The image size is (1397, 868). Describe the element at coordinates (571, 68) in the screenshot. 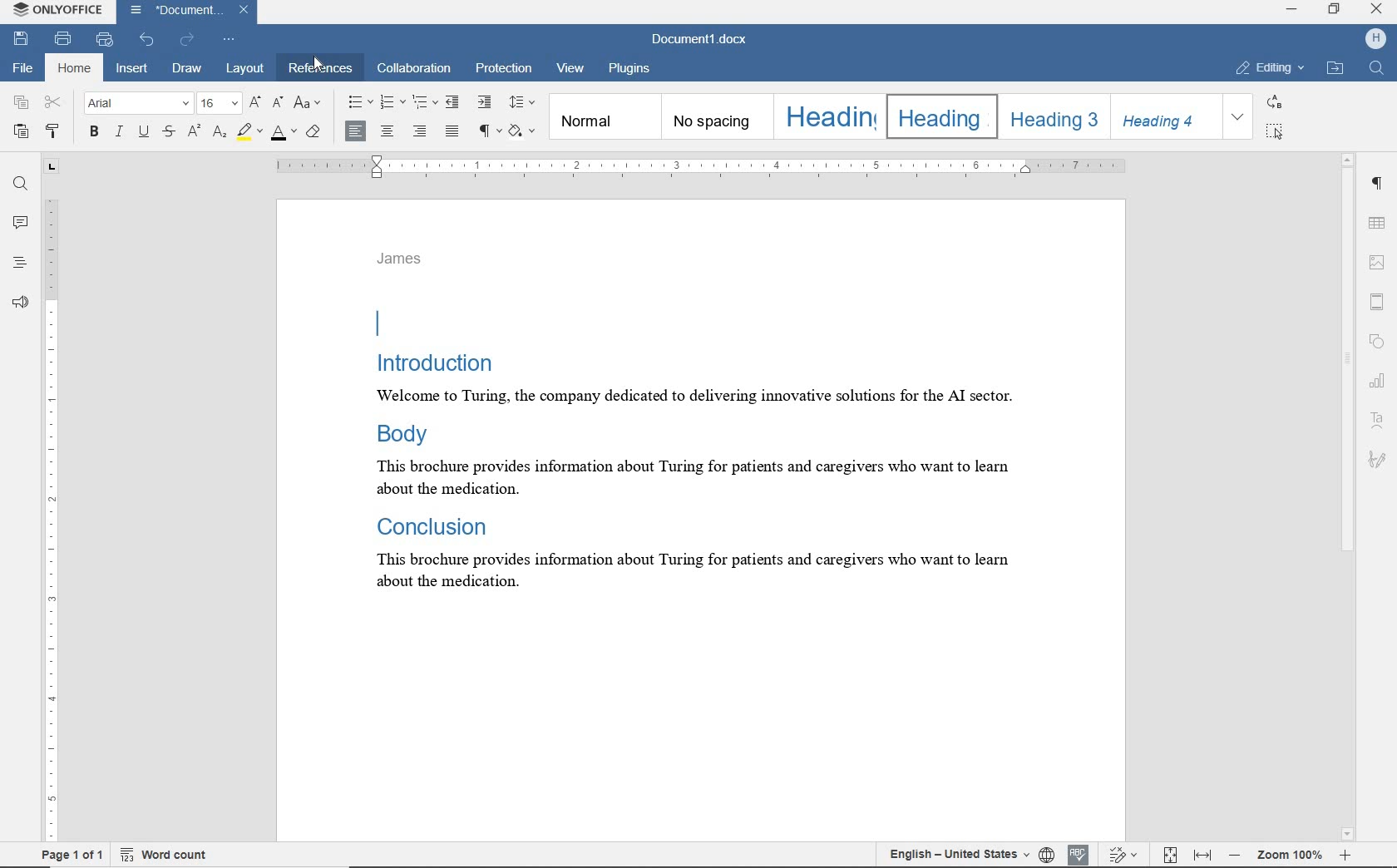

I see `view` at that location.